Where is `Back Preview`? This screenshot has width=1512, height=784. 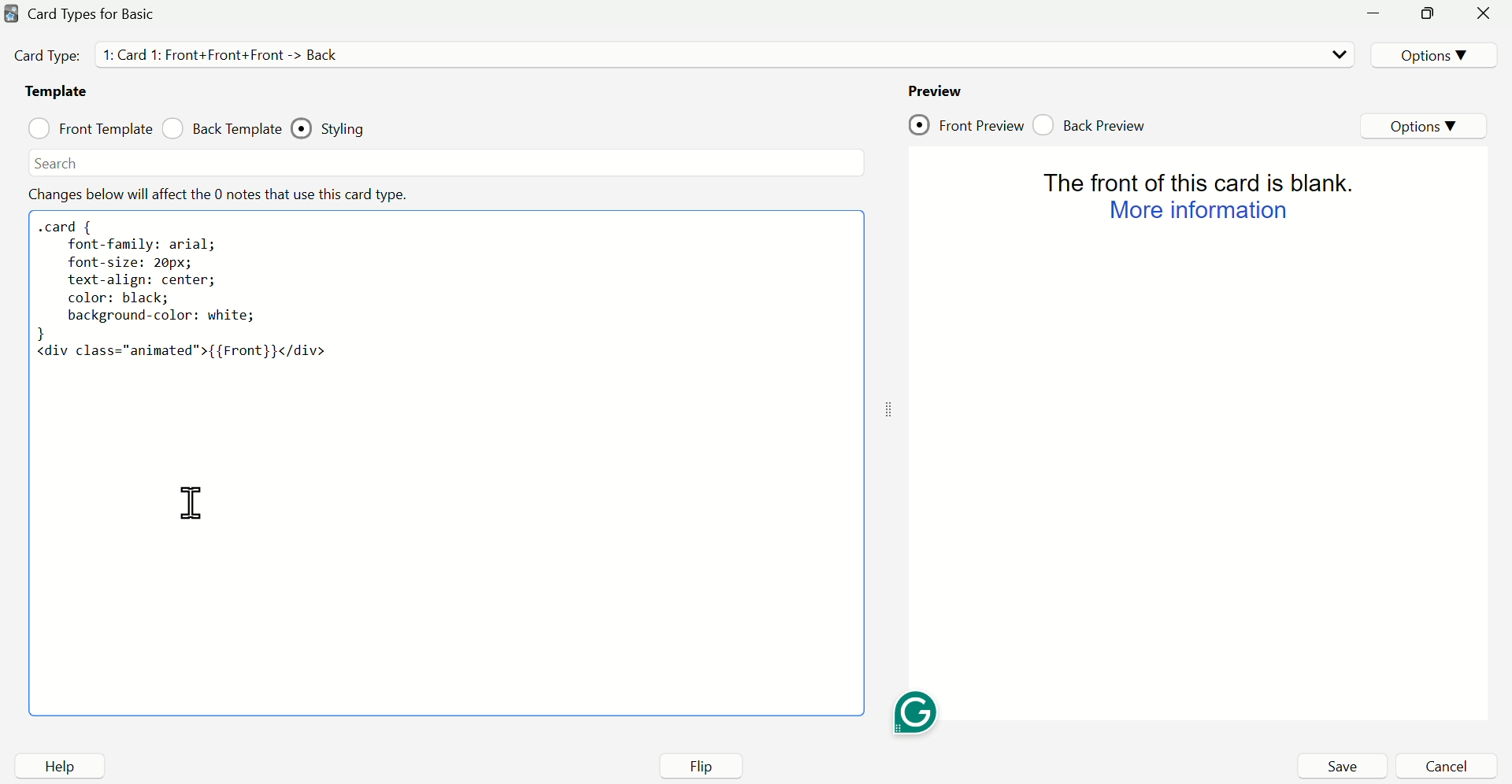 Back Preview is located at coordinates (1097, 122).